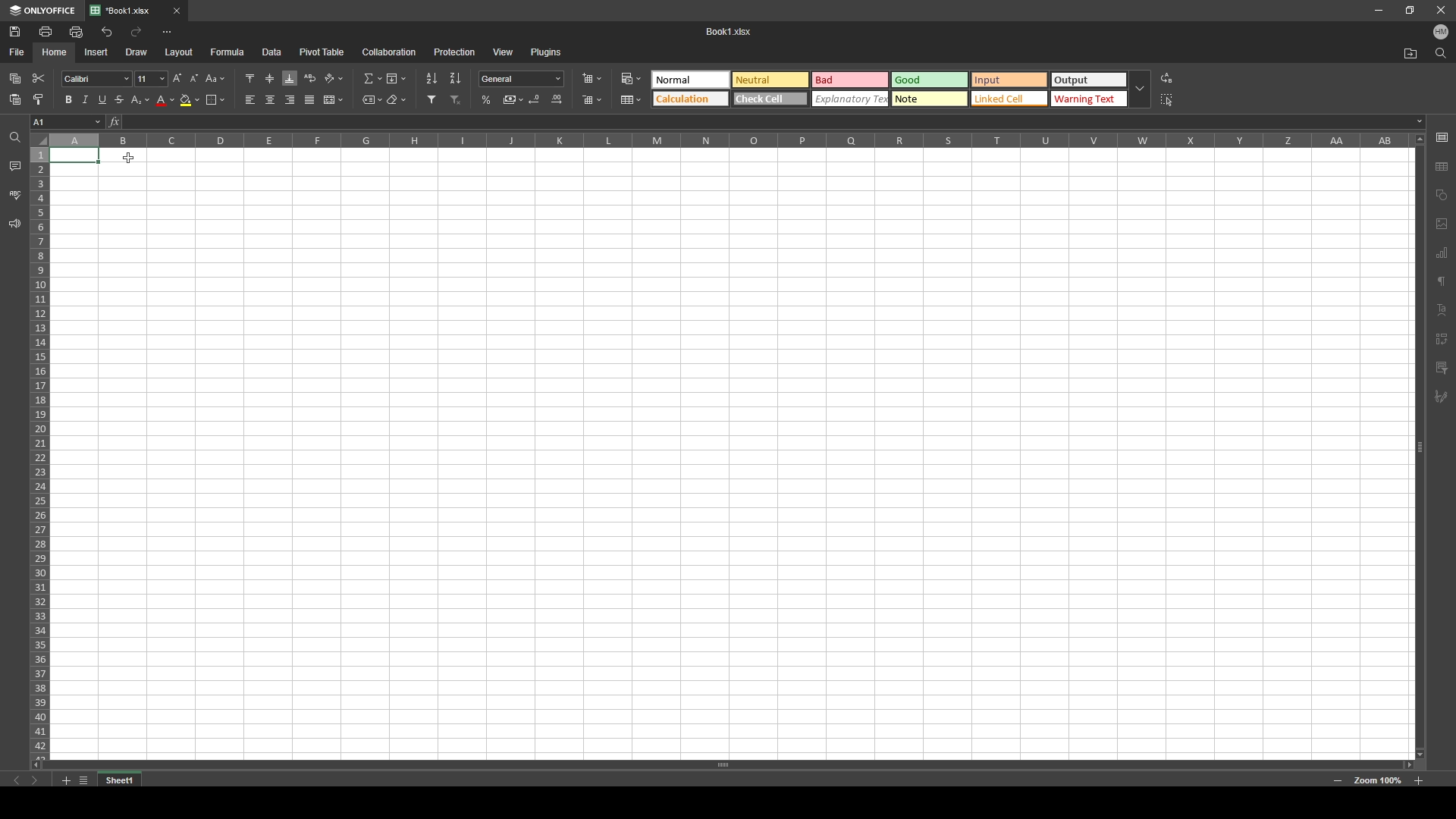 The height and width of the screenshot is (819, 1456). What do you see at coordinates (729, 765) in the screenshot?
I see `scroll bar` at bounding box center [729, 765].